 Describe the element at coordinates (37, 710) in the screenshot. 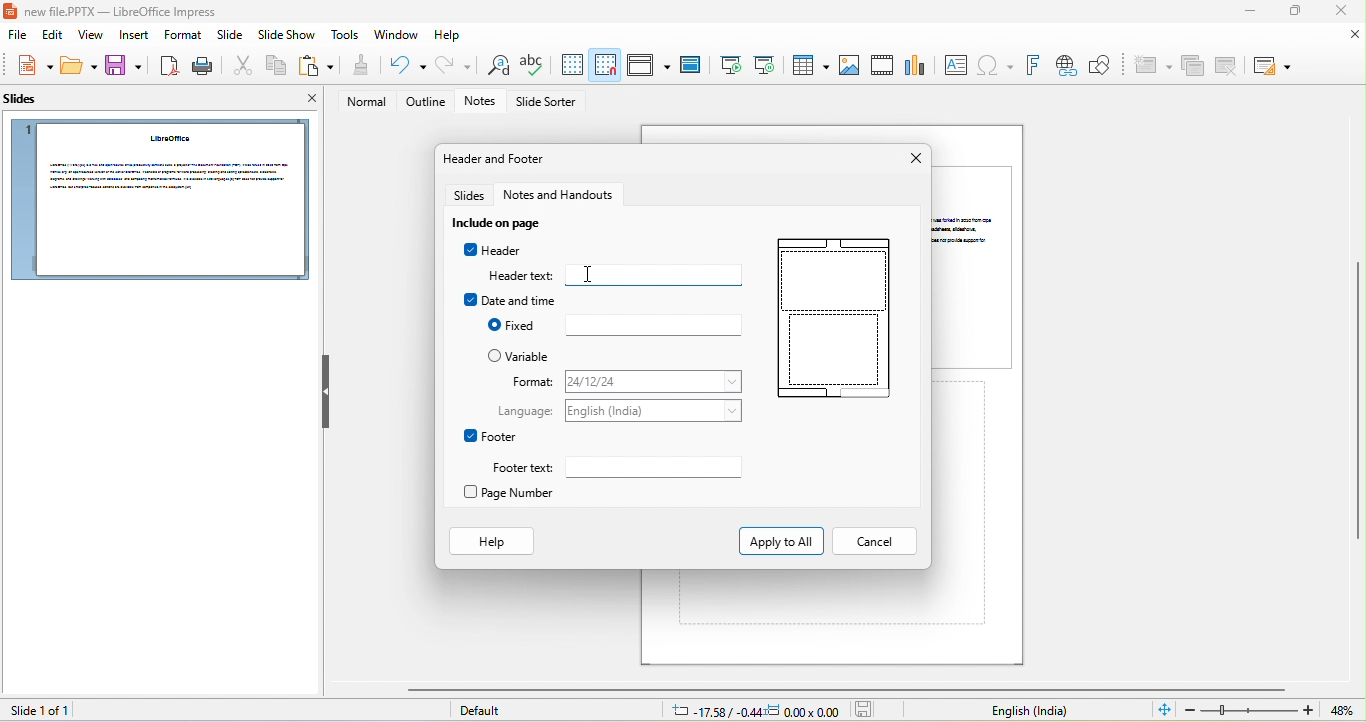

I see `slide 1 of 1` at that location.